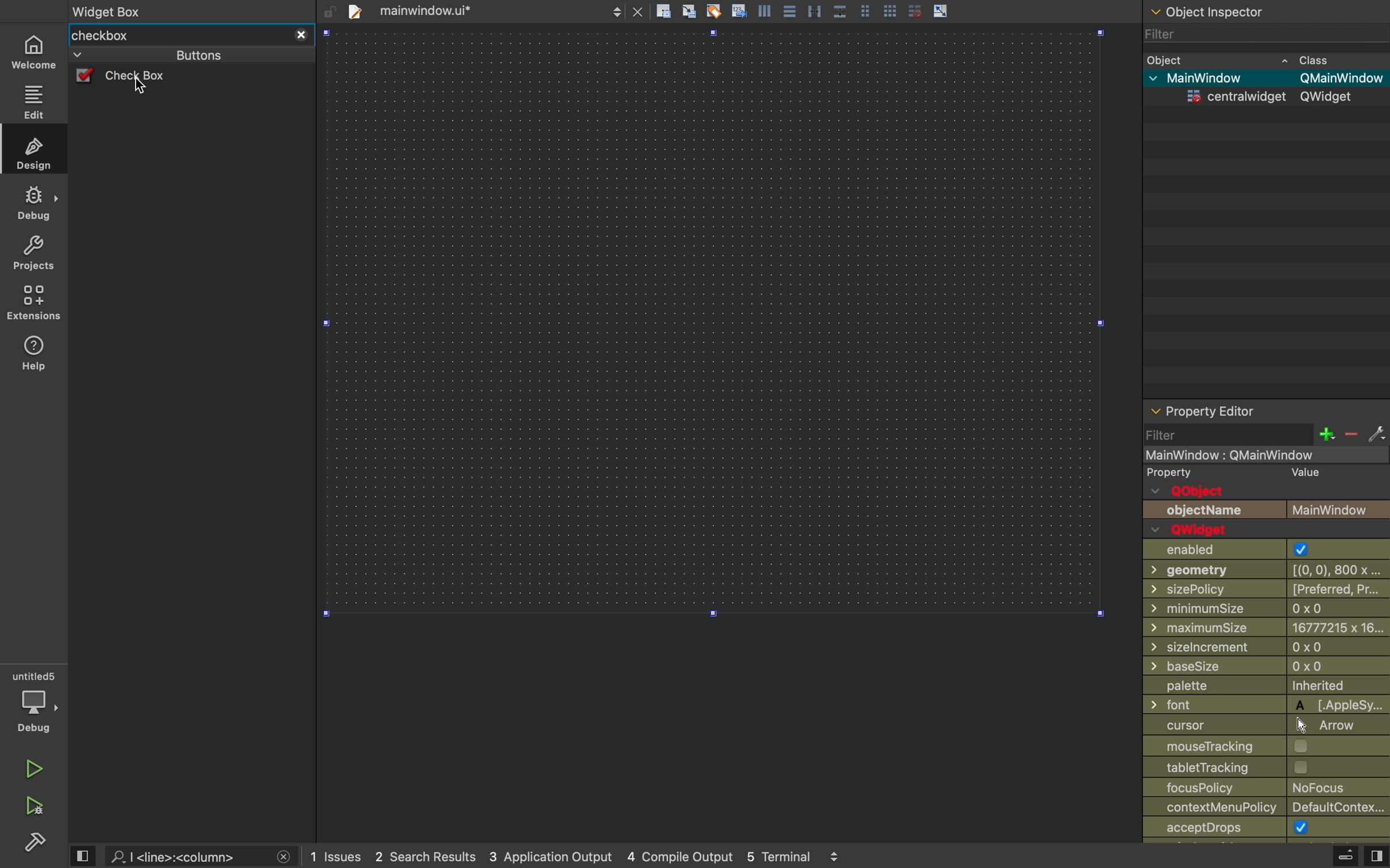 The image size is (1390, 868). I want to click on mouse tracking, so click(1265, 745).